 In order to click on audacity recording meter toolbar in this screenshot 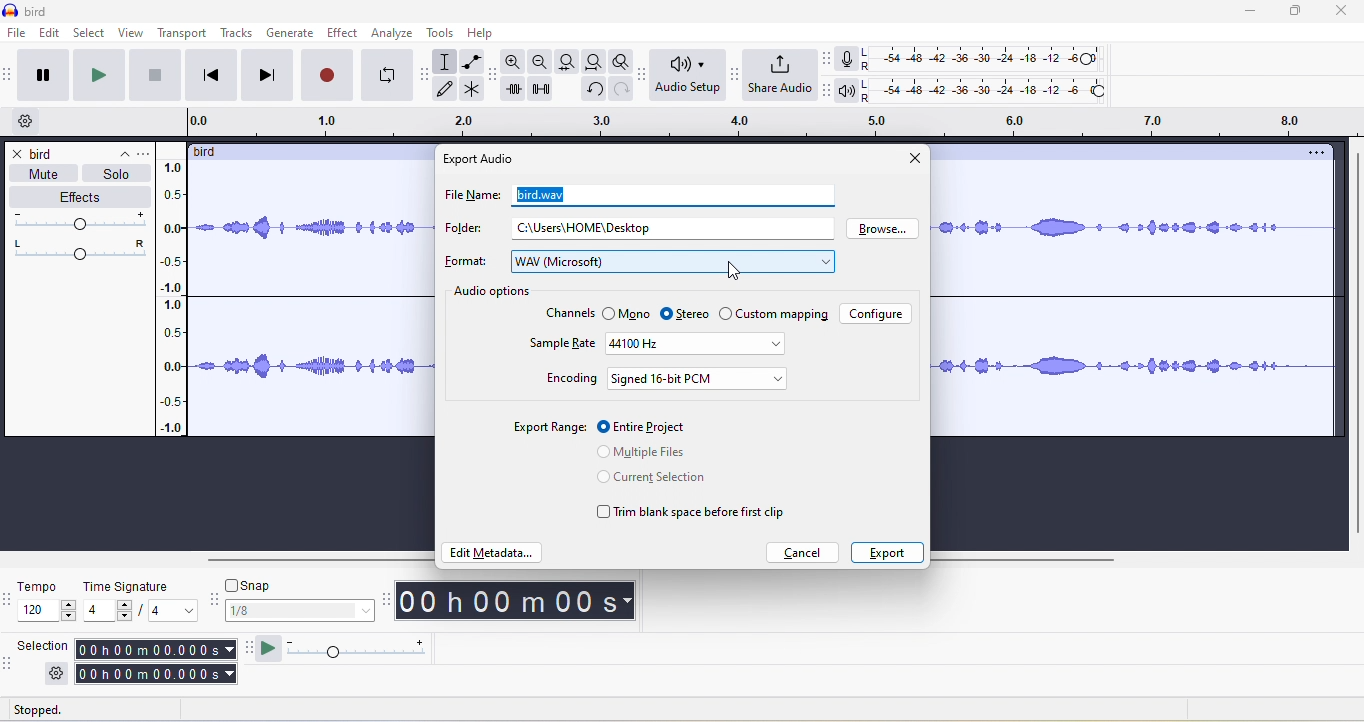, I will do `click(822, 58)`.